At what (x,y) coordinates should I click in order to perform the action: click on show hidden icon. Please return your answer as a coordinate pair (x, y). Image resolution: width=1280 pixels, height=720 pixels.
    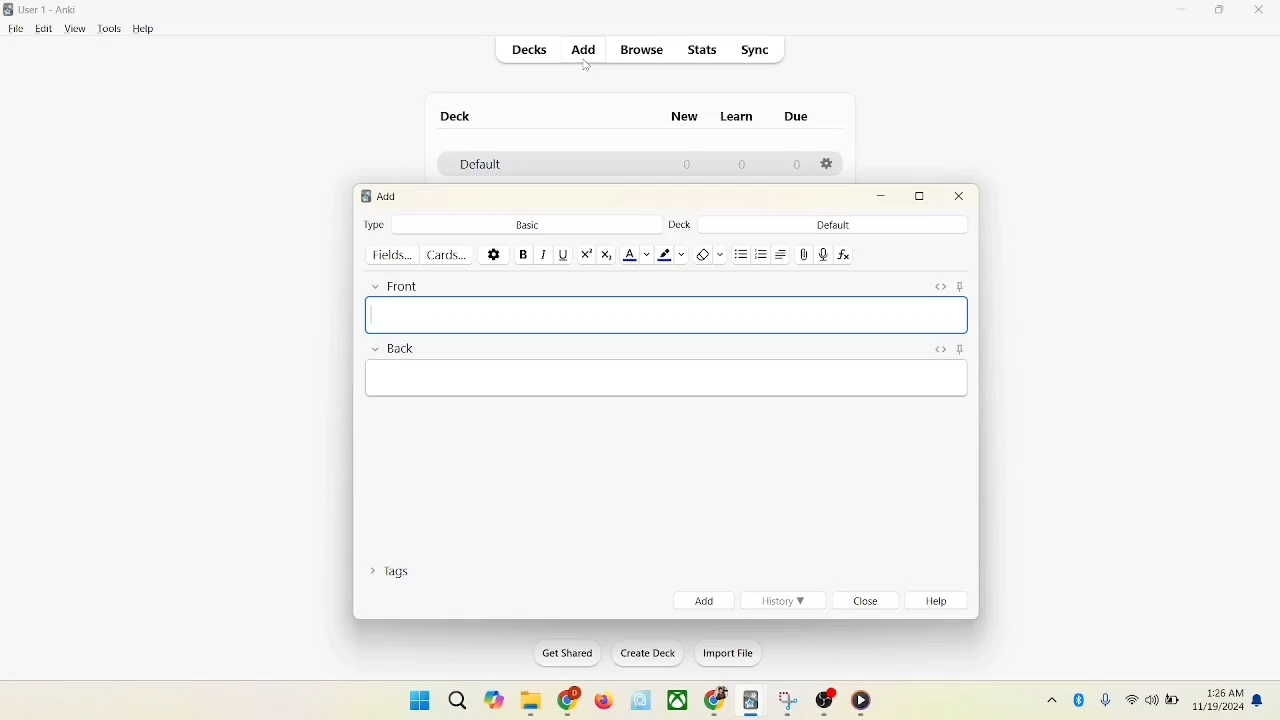
    Looking at the image, I should click on (1048, 699).